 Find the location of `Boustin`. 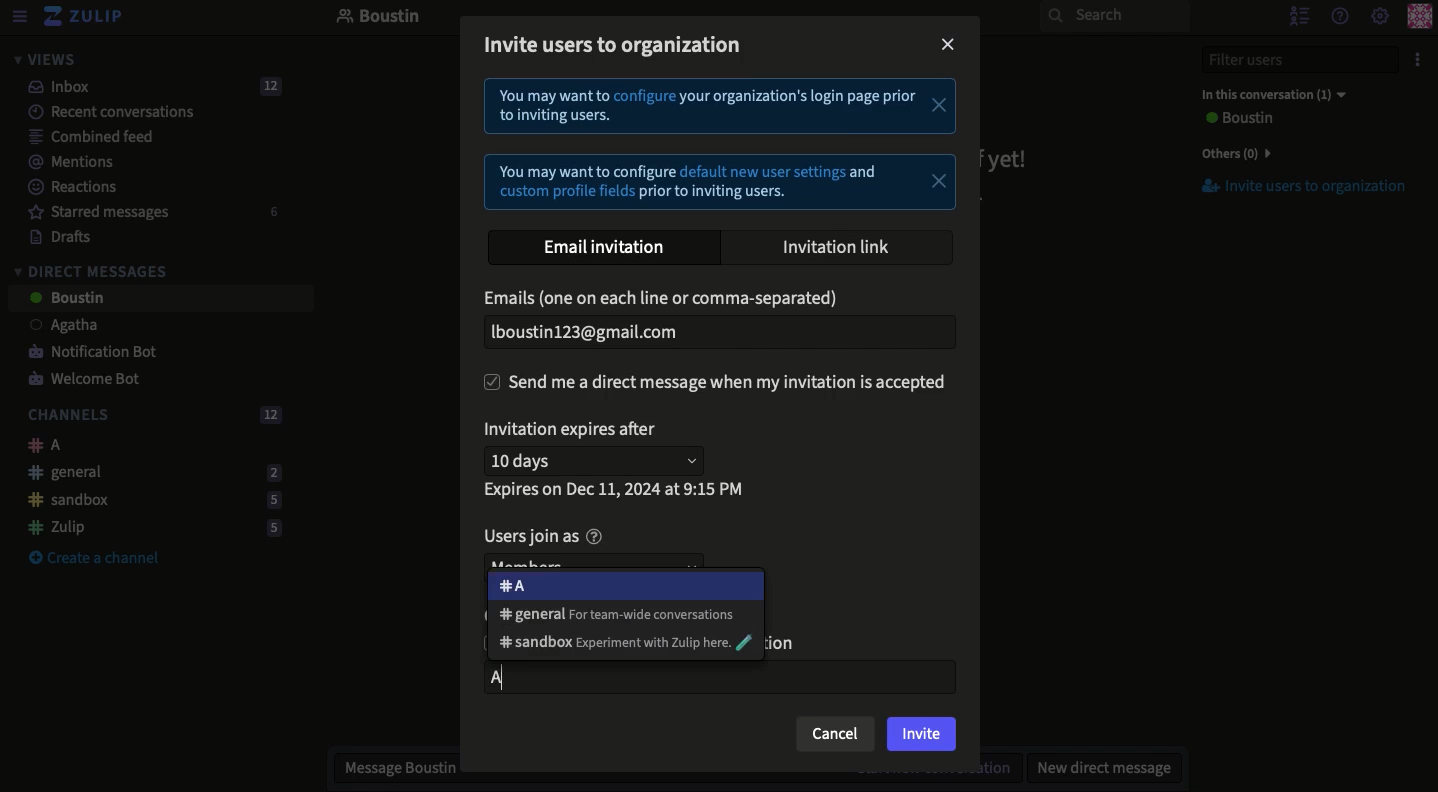

Boustin is located at coordinates (379, 18).